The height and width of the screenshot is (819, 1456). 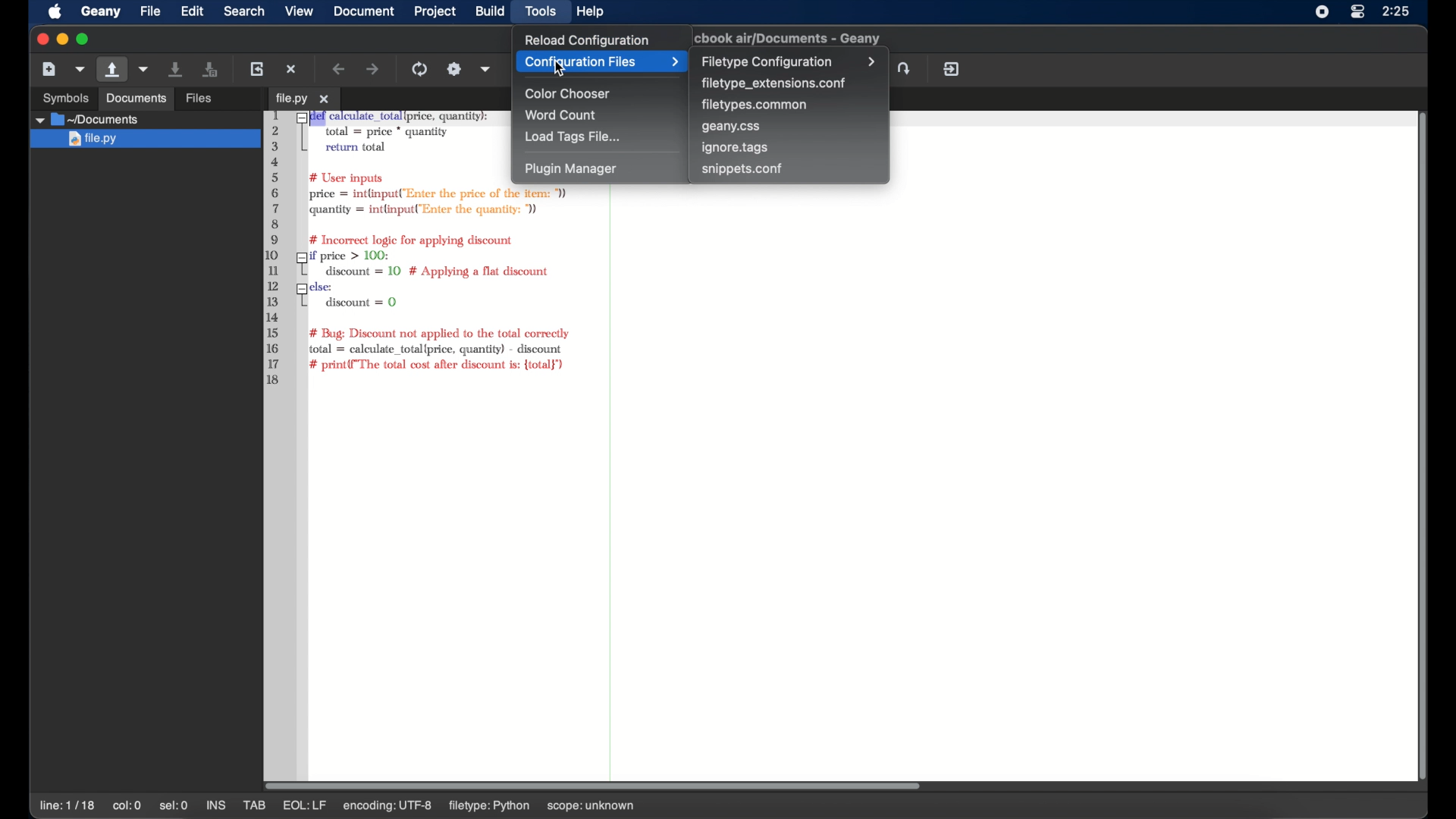 I want to click on load tags file.., so click(x=573, y=137).